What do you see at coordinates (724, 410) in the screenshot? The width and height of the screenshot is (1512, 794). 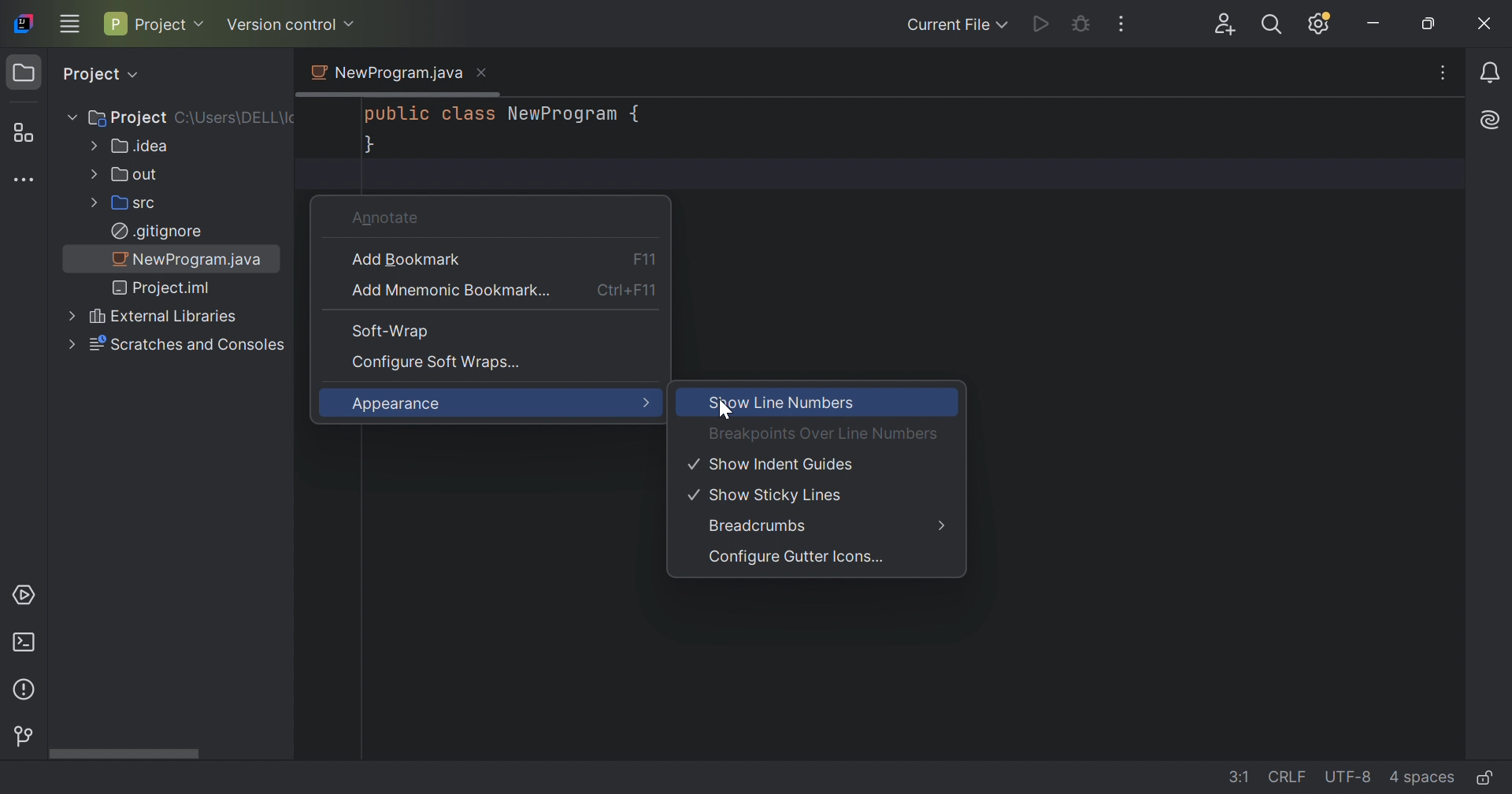 I see `Cursor` at bounding box center [724, 410].